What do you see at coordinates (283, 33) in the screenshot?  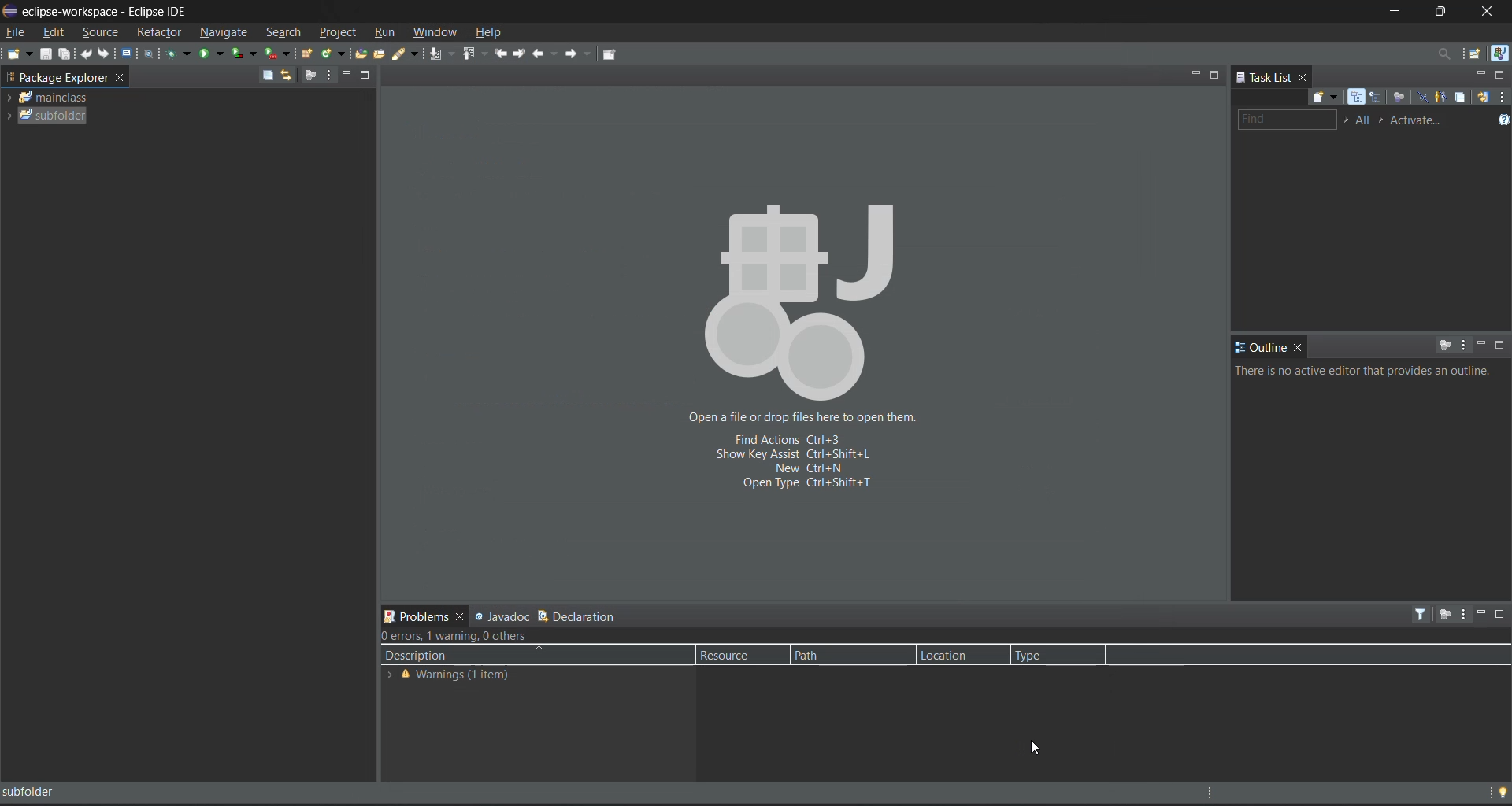 I see `search` at bounding box center [283, 33].